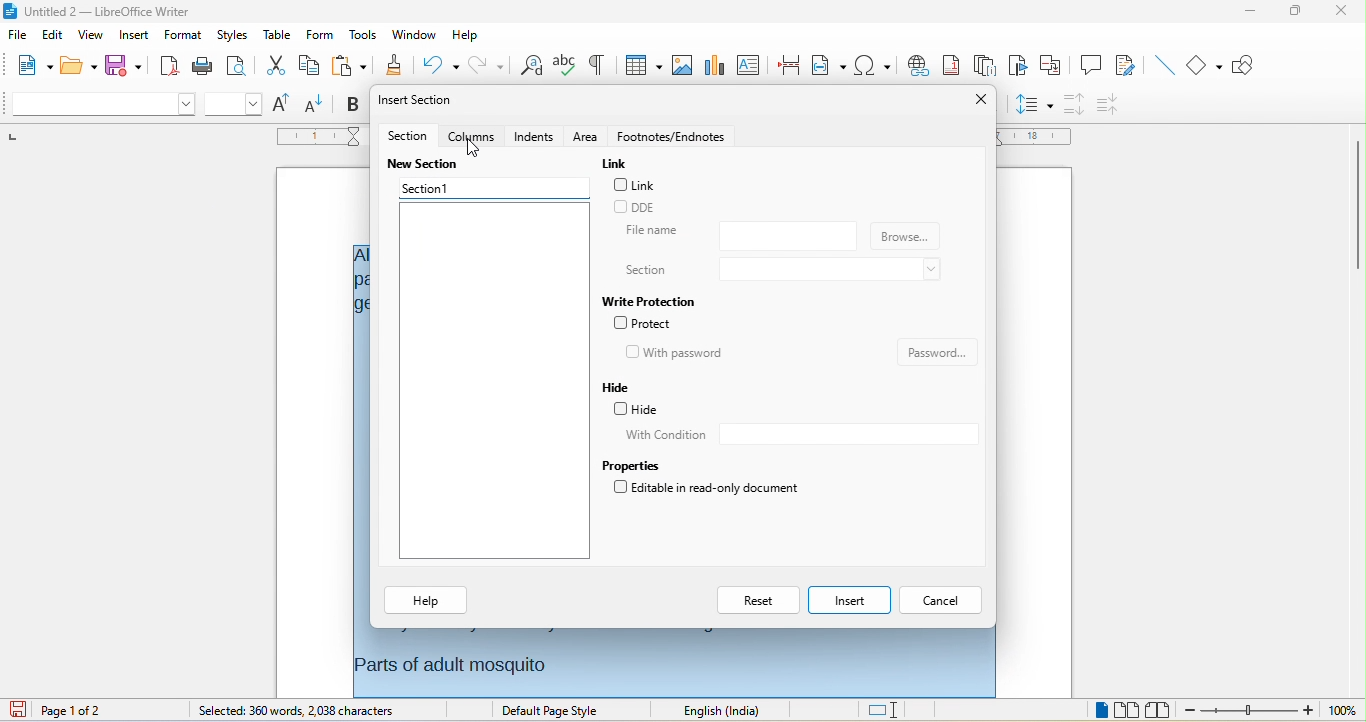  I want to click on password, so click(935, 352).